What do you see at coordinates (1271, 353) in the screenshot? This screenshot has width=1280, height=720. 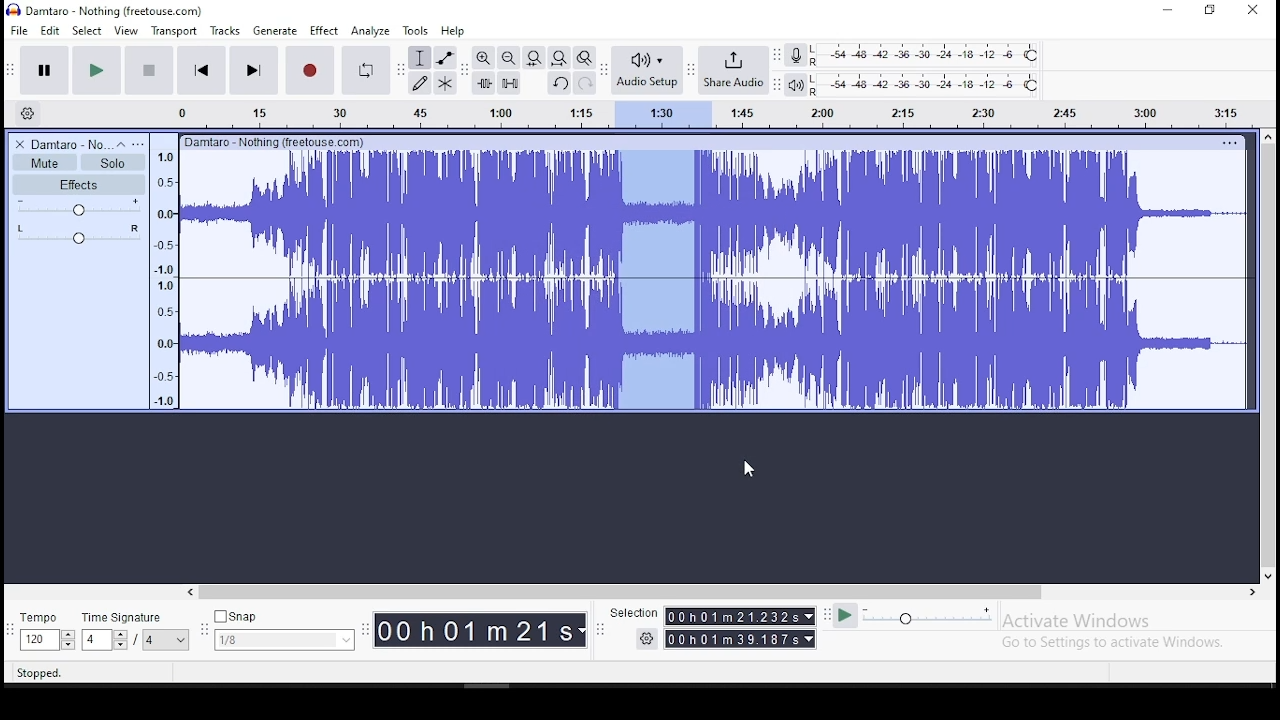 I see `vertical scroll bar` at bounding box center [1271, 353].